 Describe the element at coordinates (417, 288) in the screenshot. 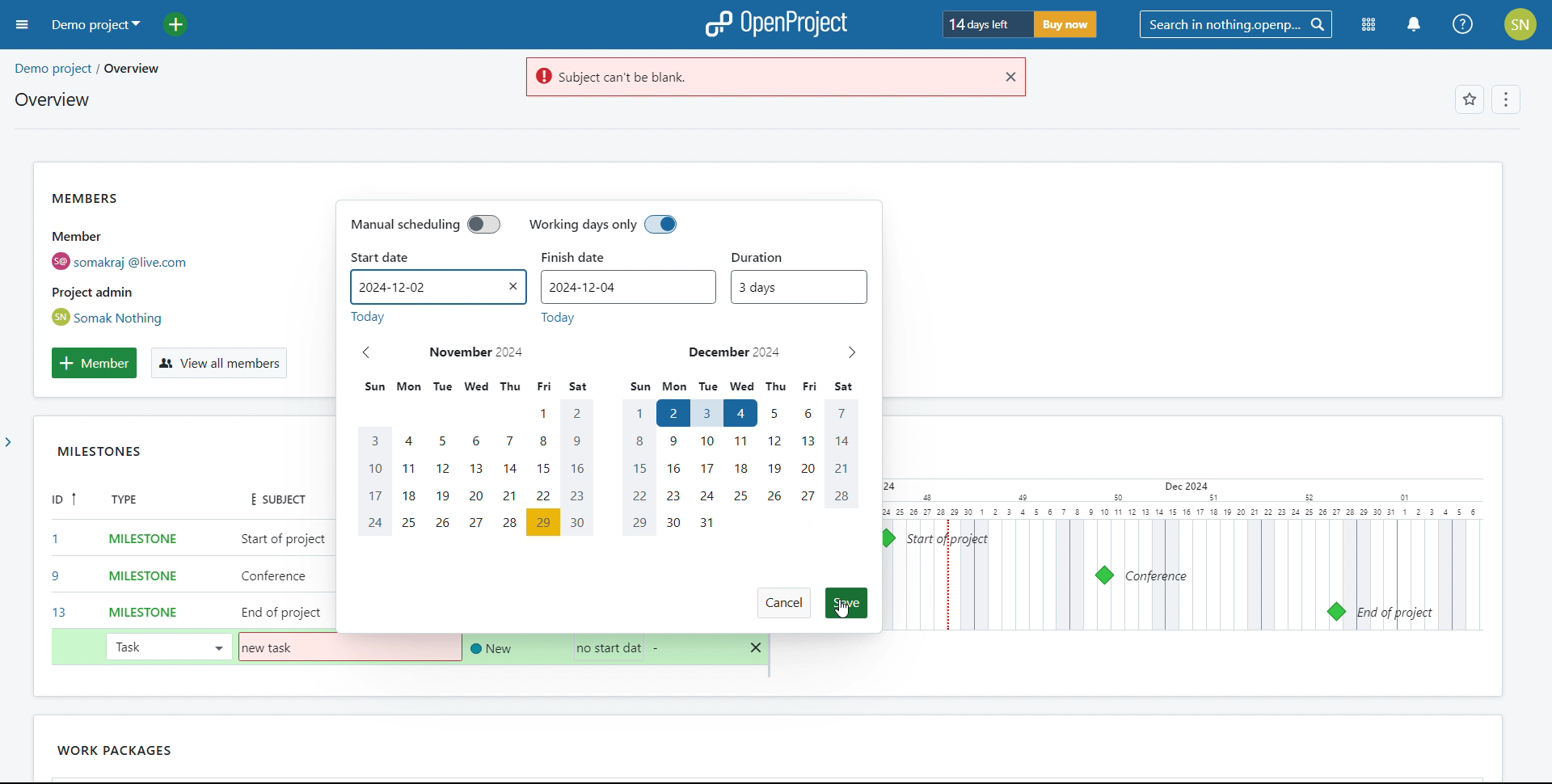

I see `start date set` at that location.